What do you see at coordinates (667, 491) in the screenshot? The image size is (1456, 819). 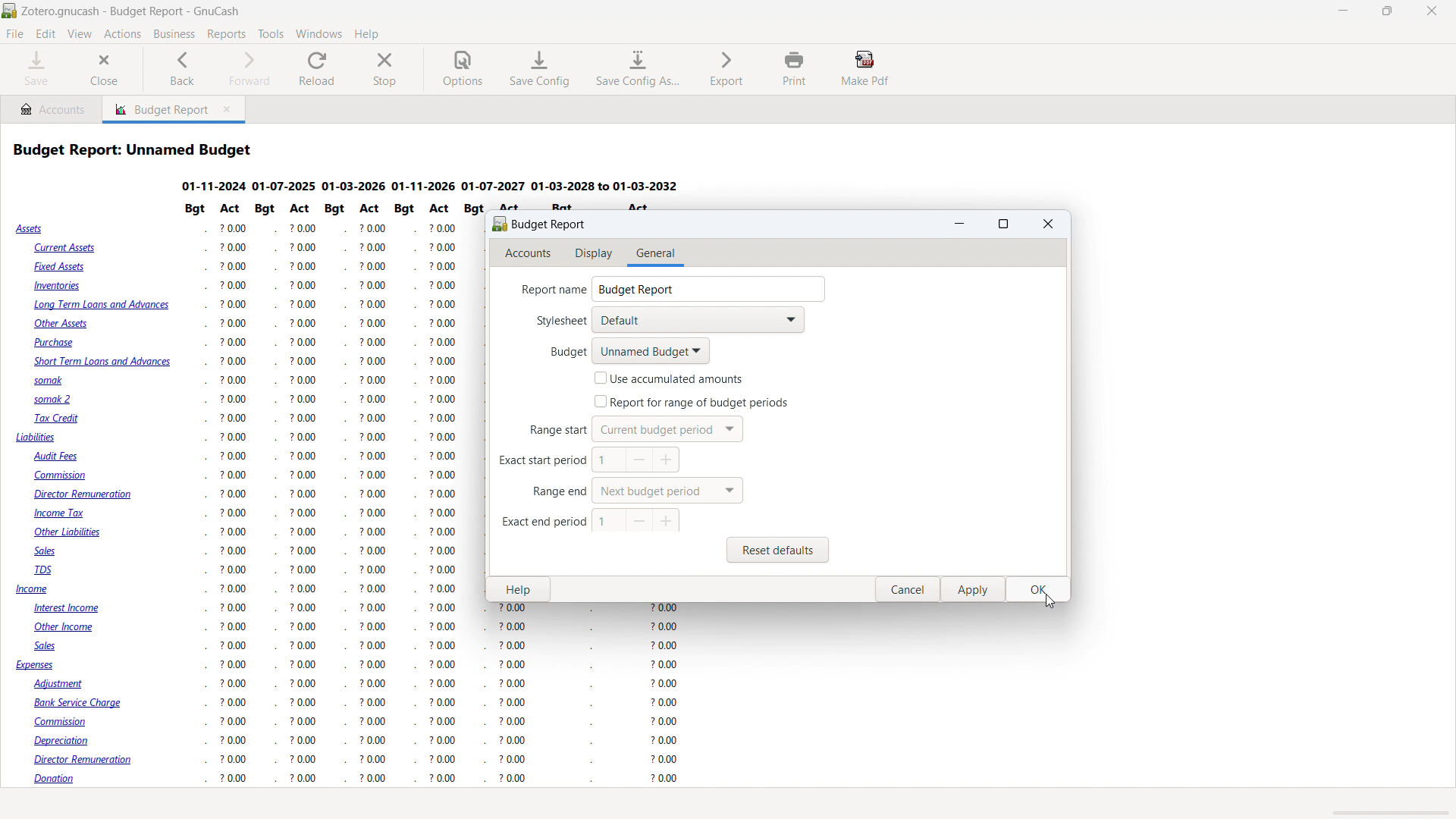 I see `set to default` at bounding box center [667, 491].